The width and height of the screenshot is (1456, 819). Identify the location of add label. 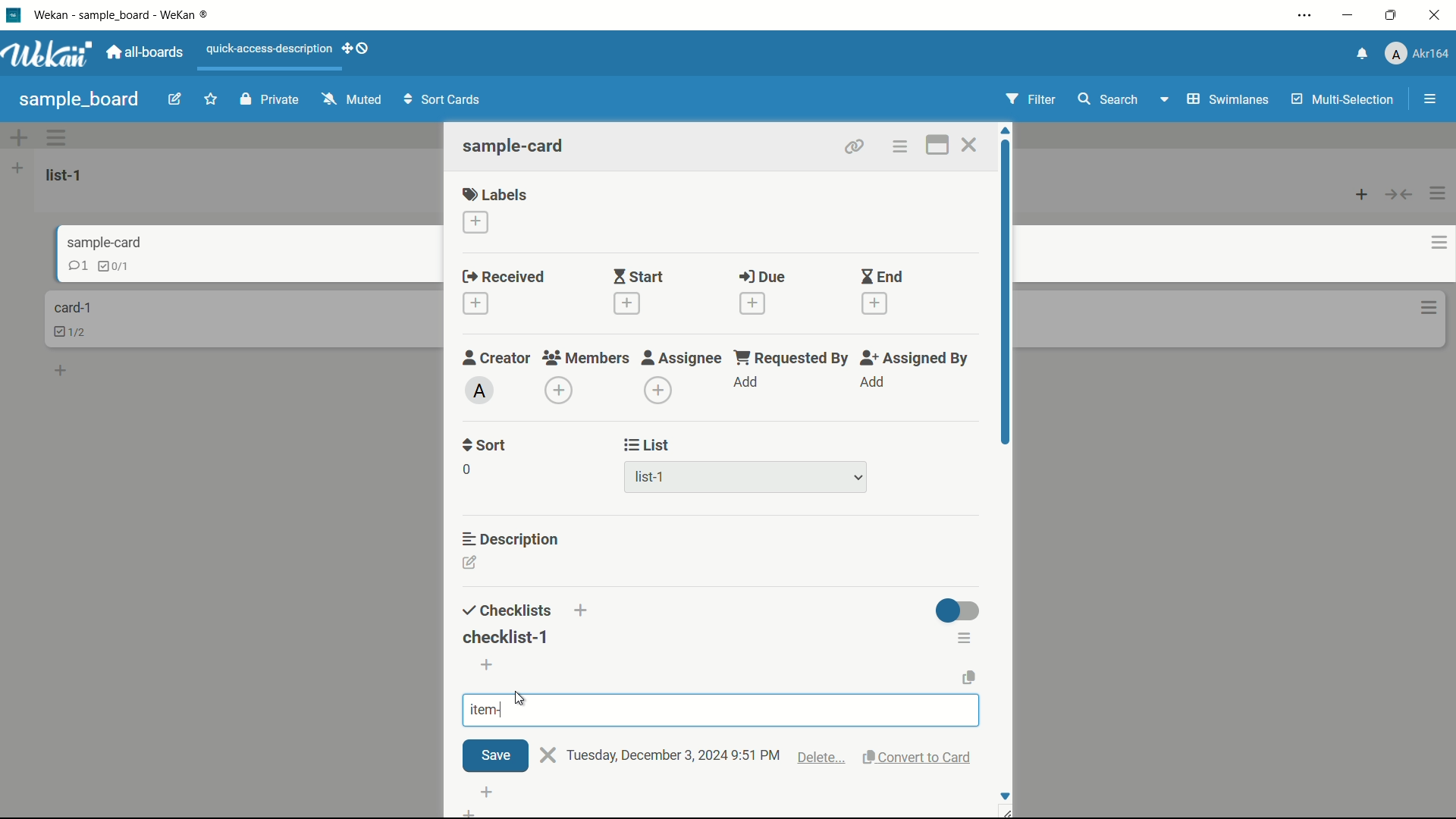
(476, 222).